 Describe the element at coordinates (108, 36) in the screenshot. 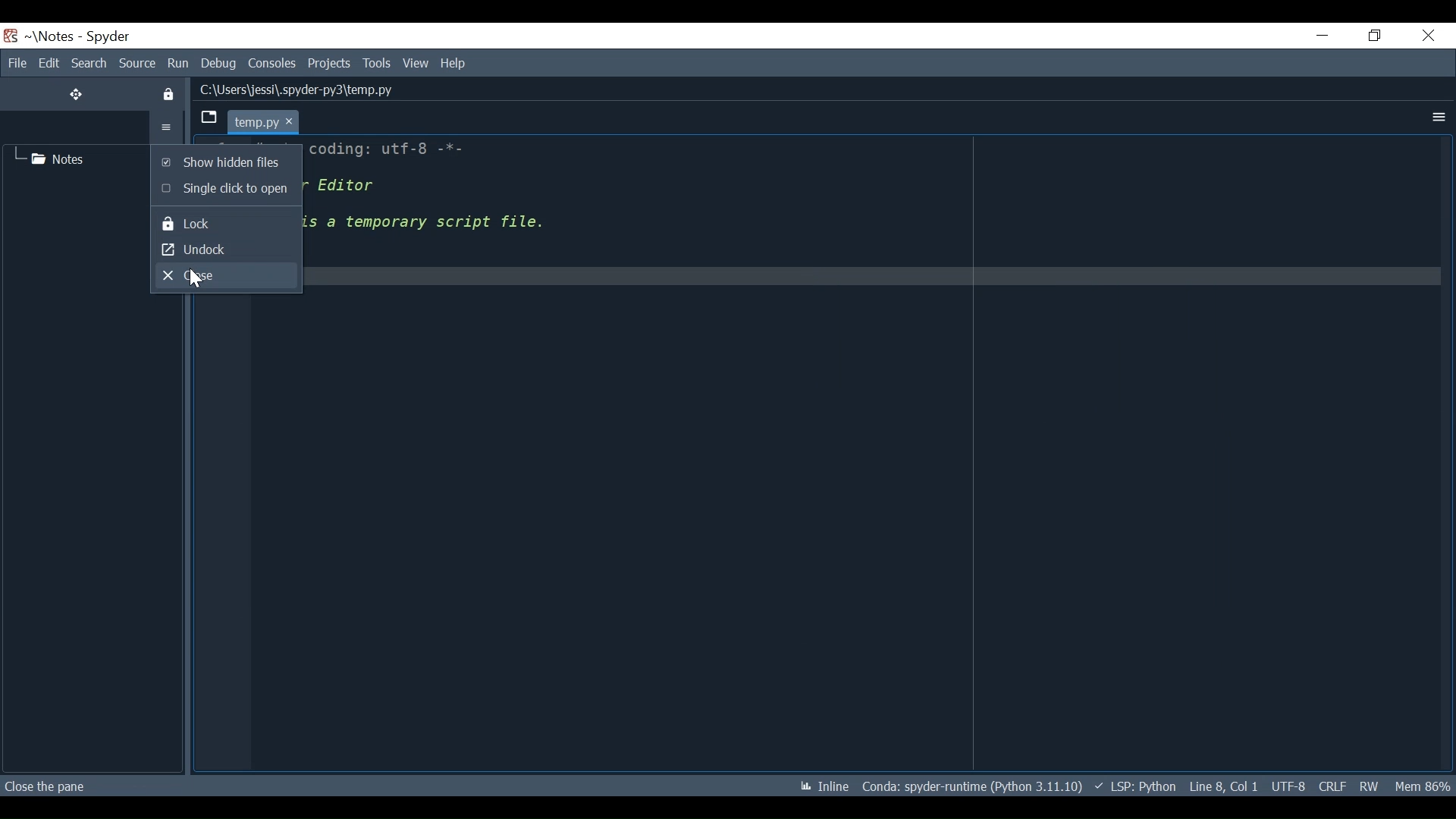

I see `Spyder` at that location.